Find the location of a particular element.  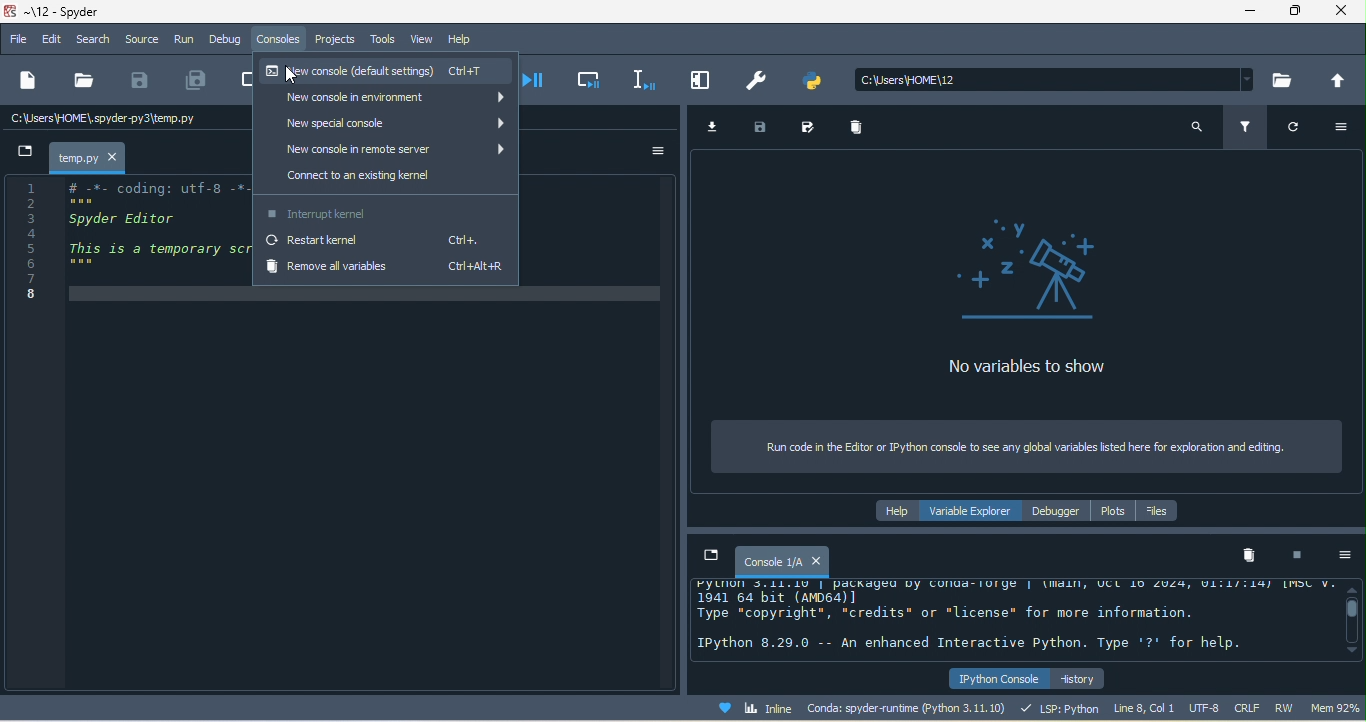

lsp python is located at coordinates (1061, 707).